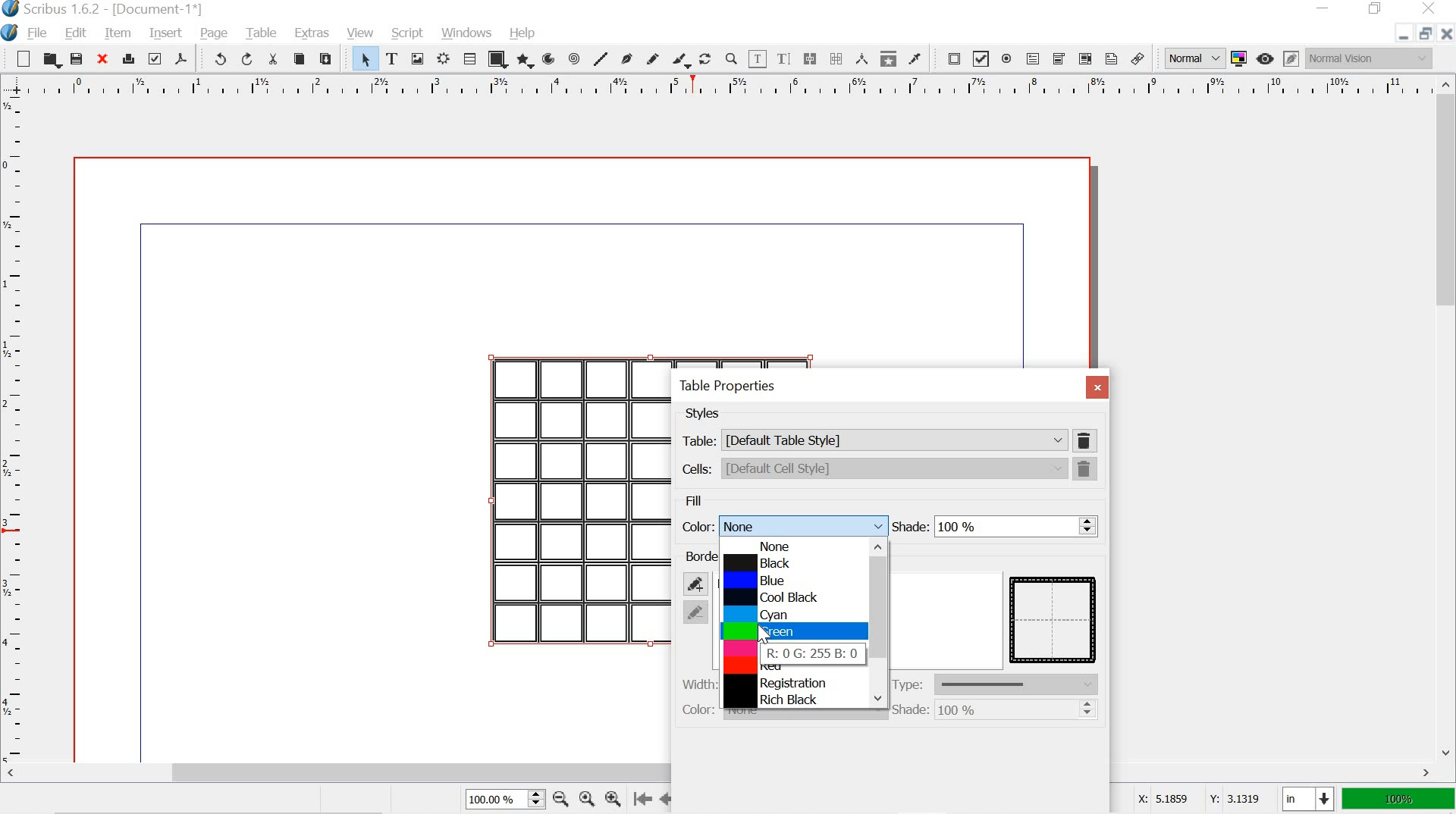 The width and height of the screenshot is (1456, 814). I want to click on shape, so click(500, 59).